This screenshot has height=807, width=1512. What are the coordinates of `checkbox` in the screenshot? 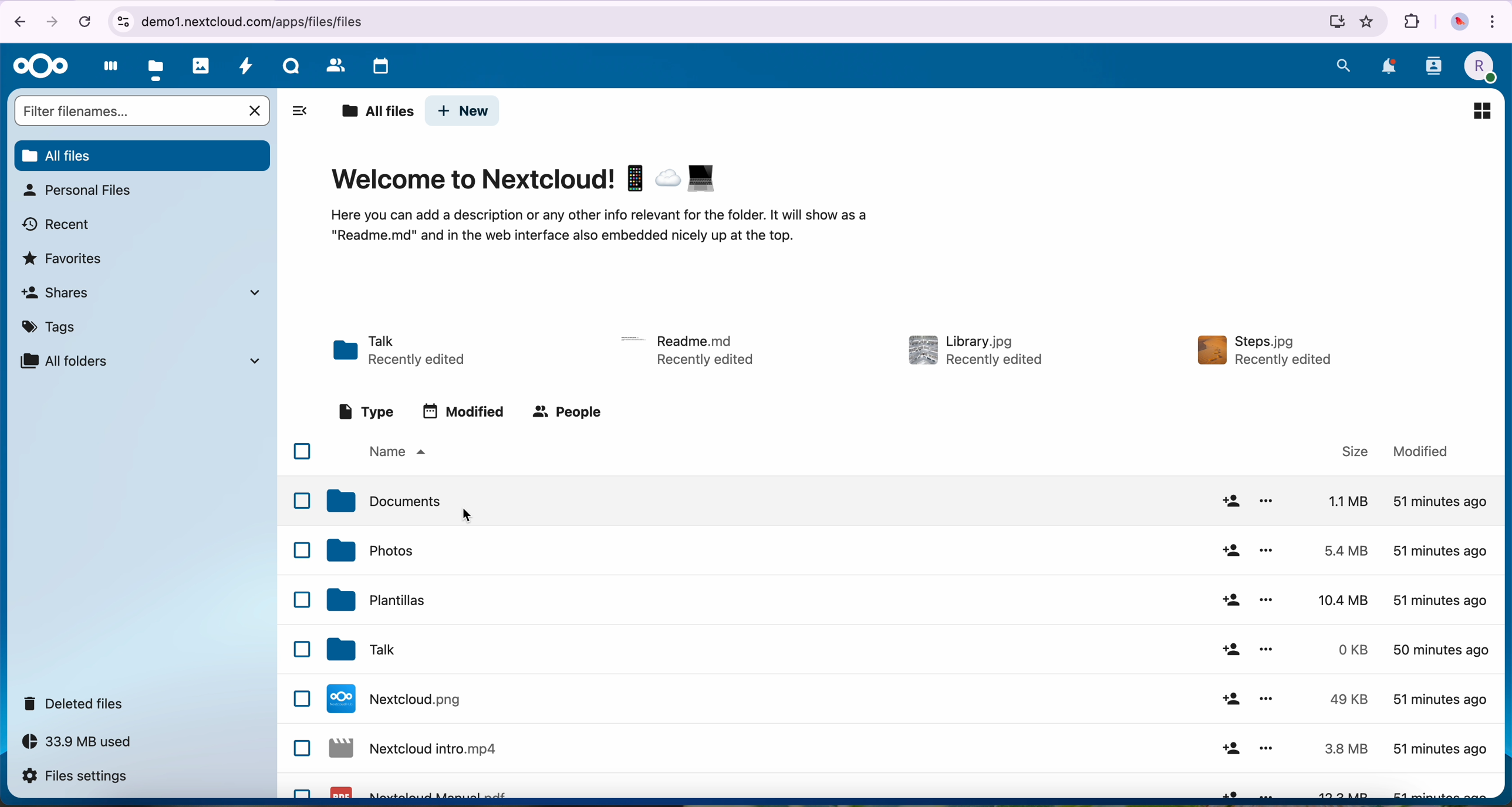 It's located at (303, 747).